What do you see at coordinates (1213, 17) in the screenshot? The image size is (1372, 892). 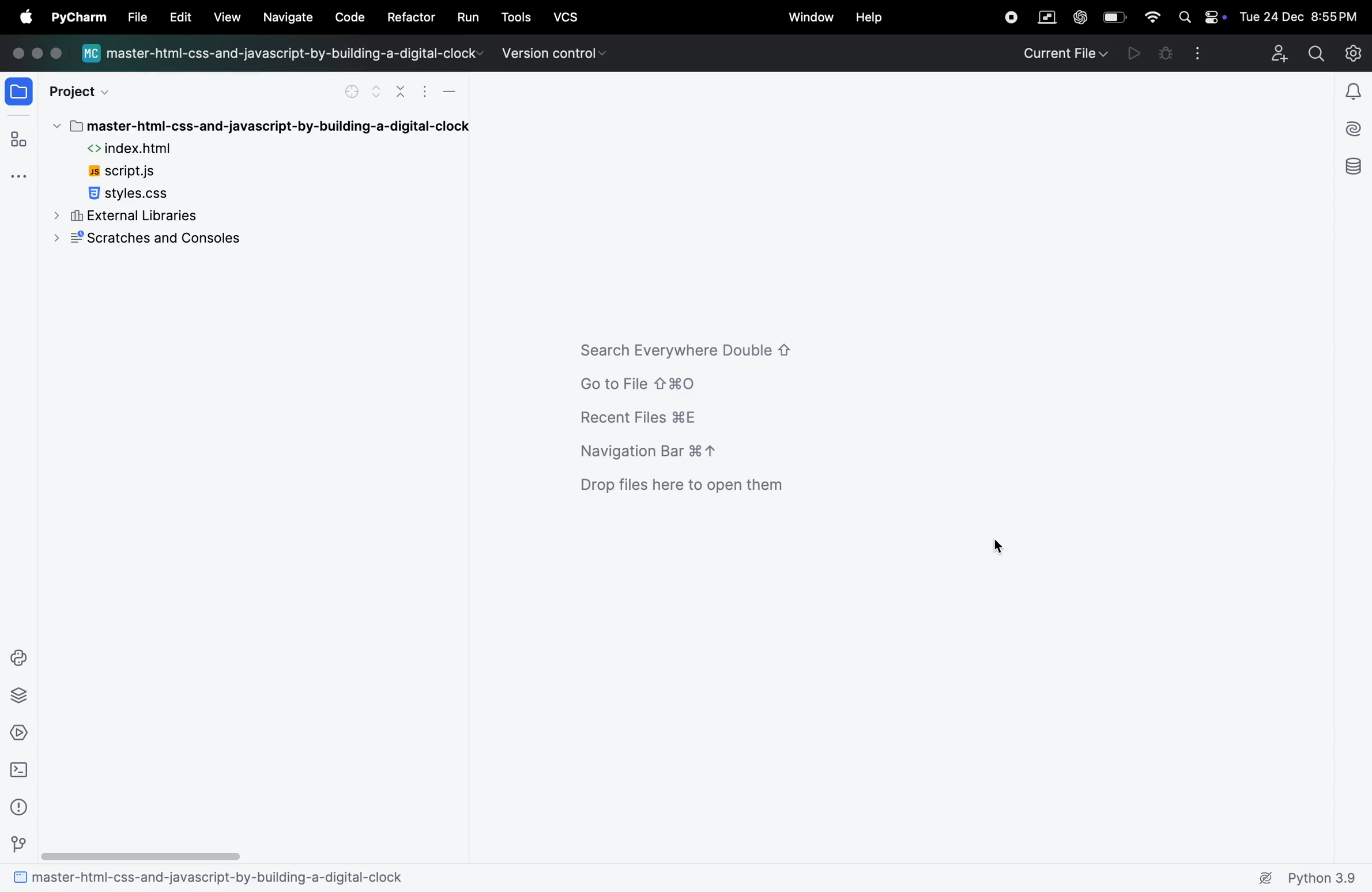 I see `battery` at bounding box center [1213, 17].